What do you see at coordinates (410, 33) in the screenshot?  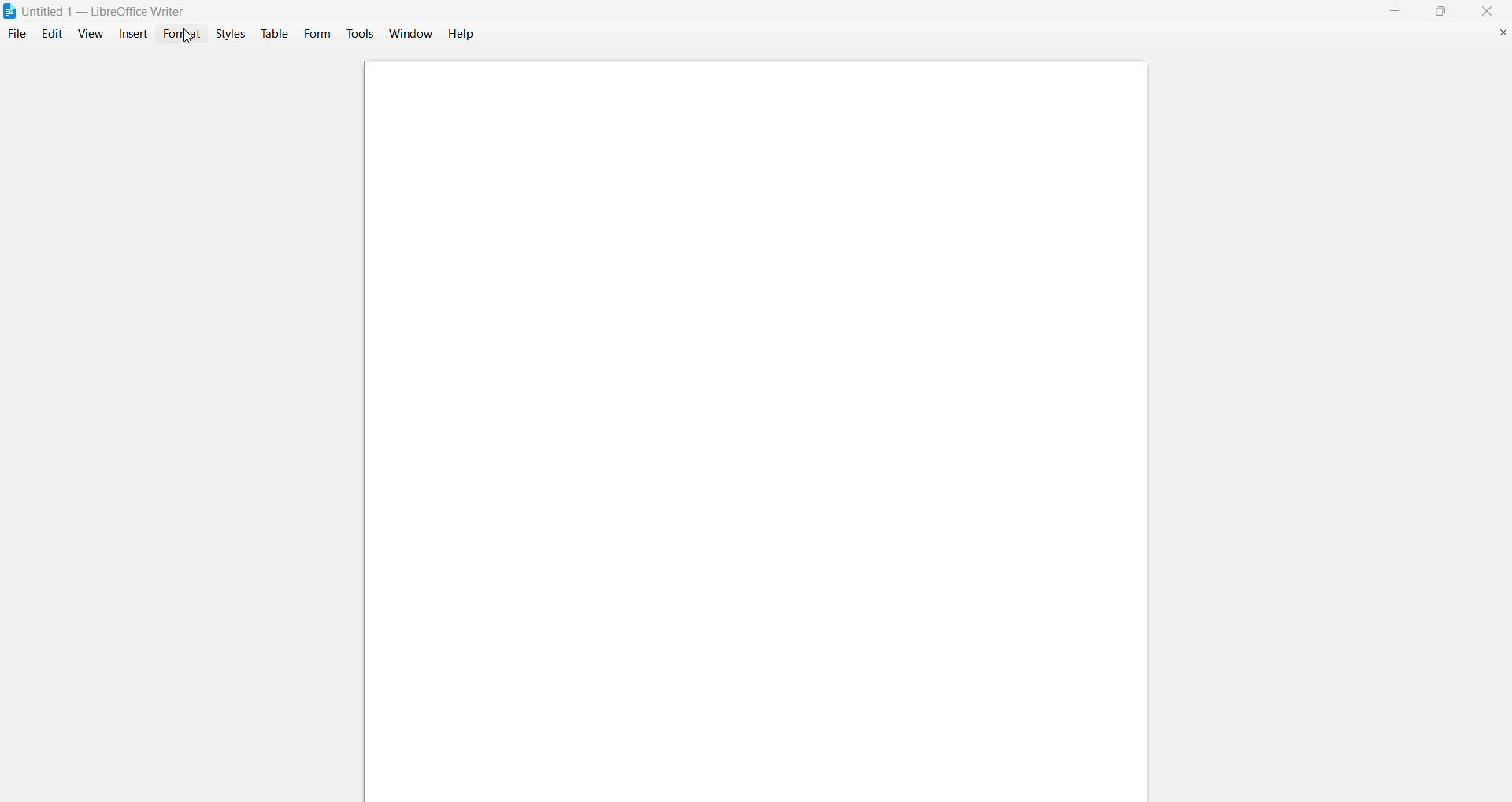 I see `window` at bounding box center [410, 33].